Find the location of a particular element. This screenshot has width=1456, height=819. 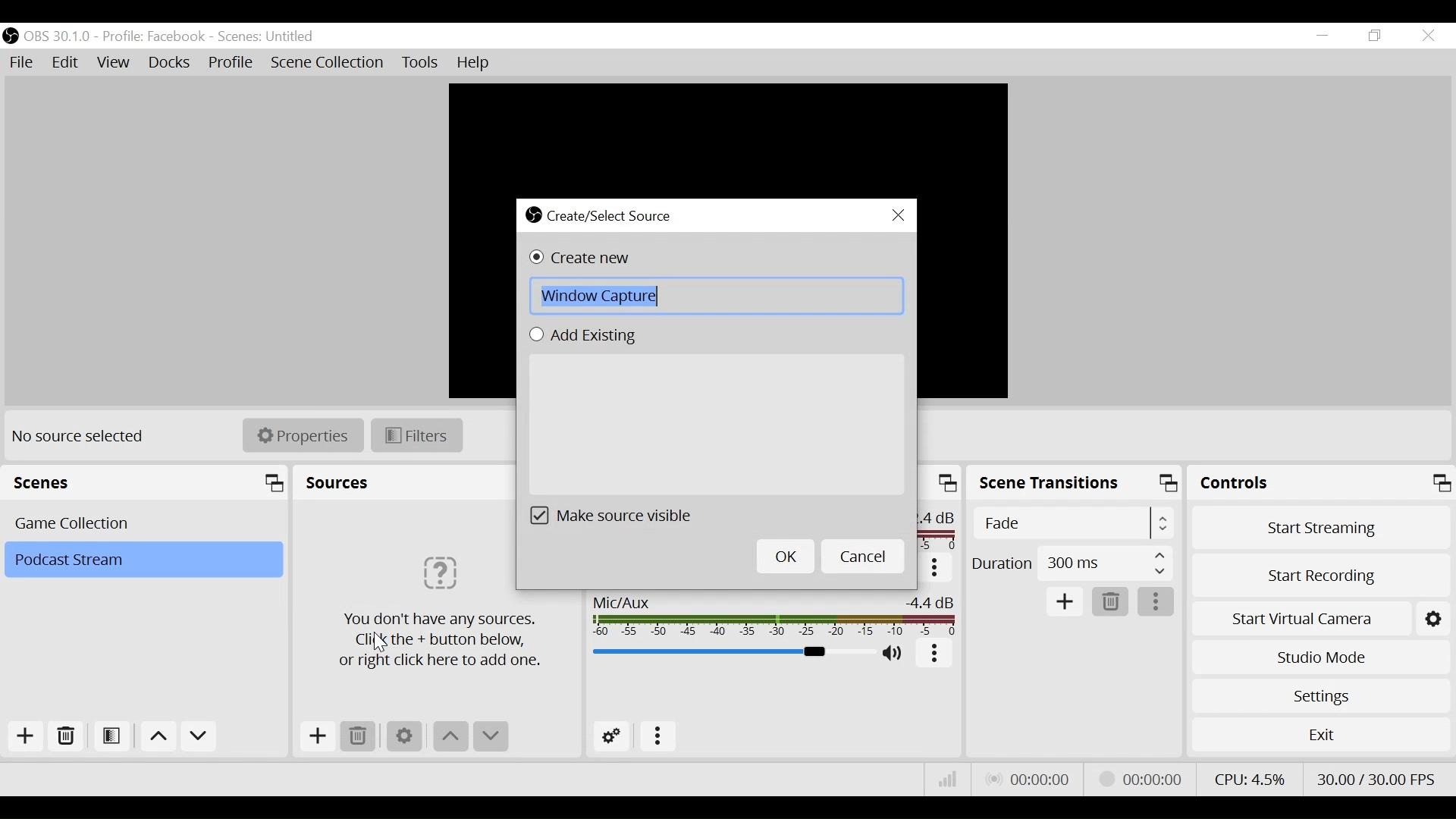

Add is located at coordinates (318, 736).